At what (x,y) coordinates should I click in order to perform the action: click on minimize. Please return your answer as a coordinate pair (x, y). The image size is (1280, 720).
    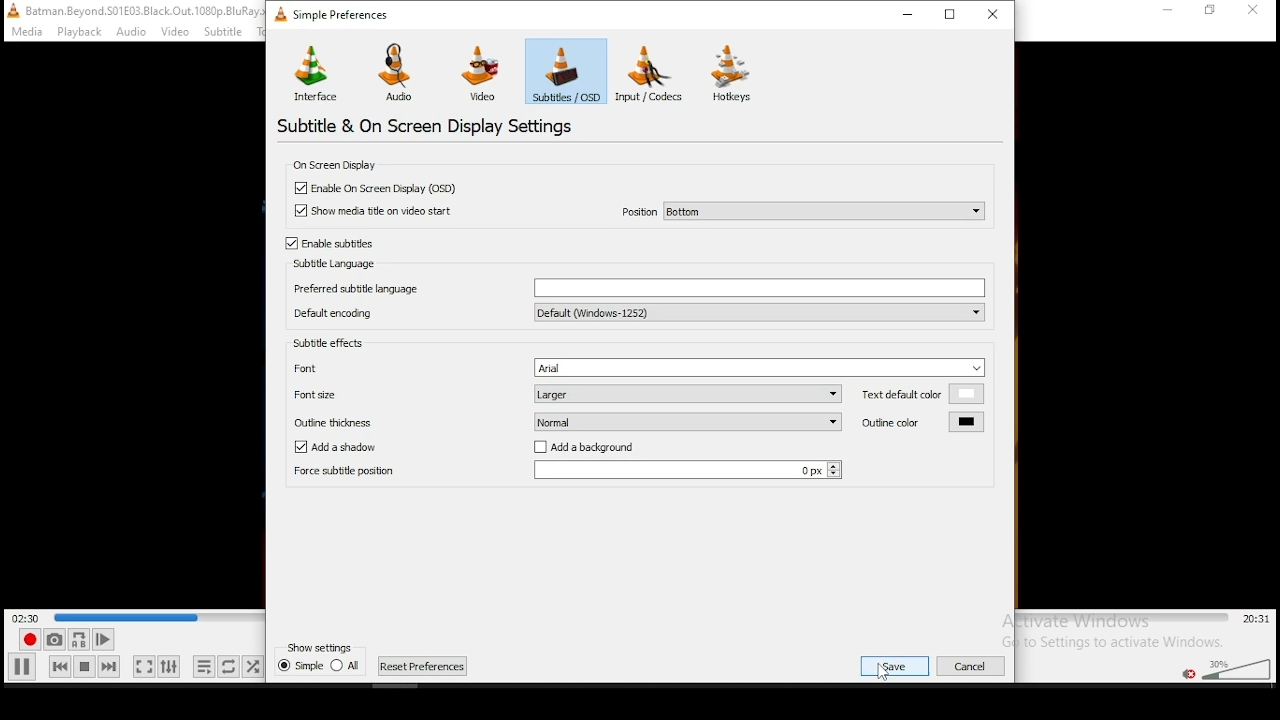
    Looking at the image, I should click on (907, 13).